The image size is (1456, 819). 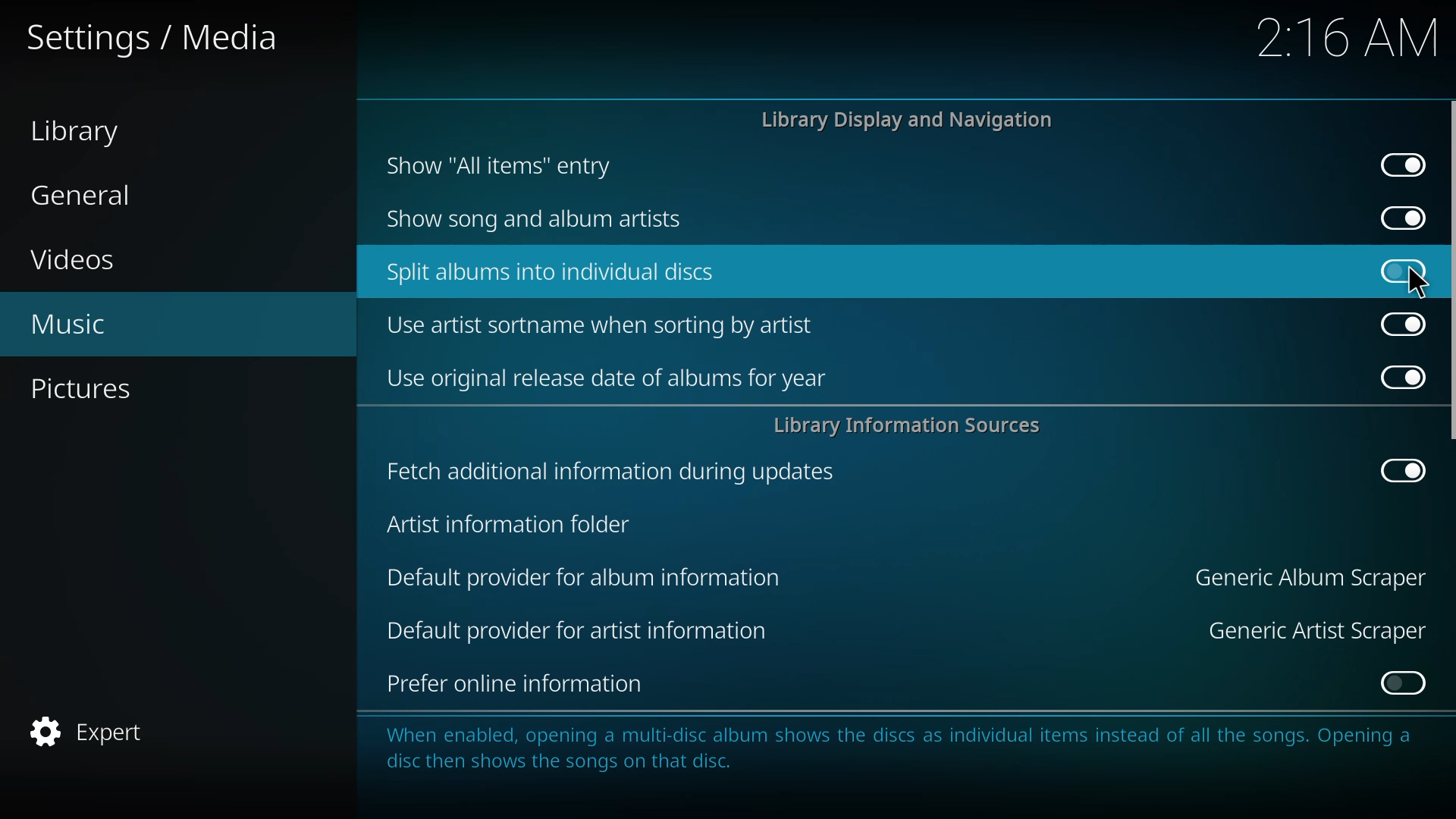 What do you see at coordinates (605, 325) in the screenshot?
I see `use artist sortname when sorting` at bounding box center [605, 325].